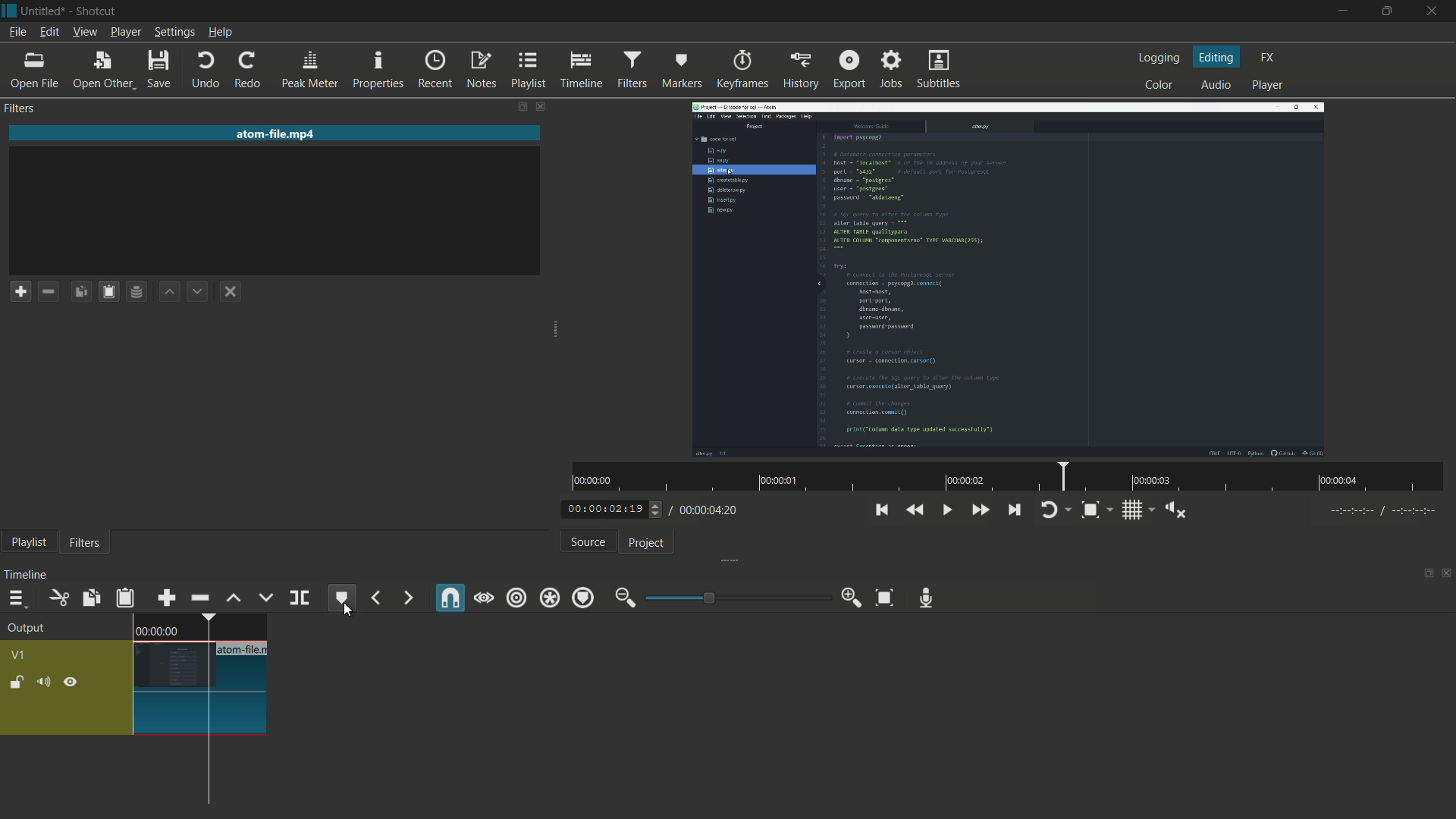 This screenshot has height=819, width=1456. Describe the element at coordinates (222, 32) in the screenshot. I see `help menu` at that location.